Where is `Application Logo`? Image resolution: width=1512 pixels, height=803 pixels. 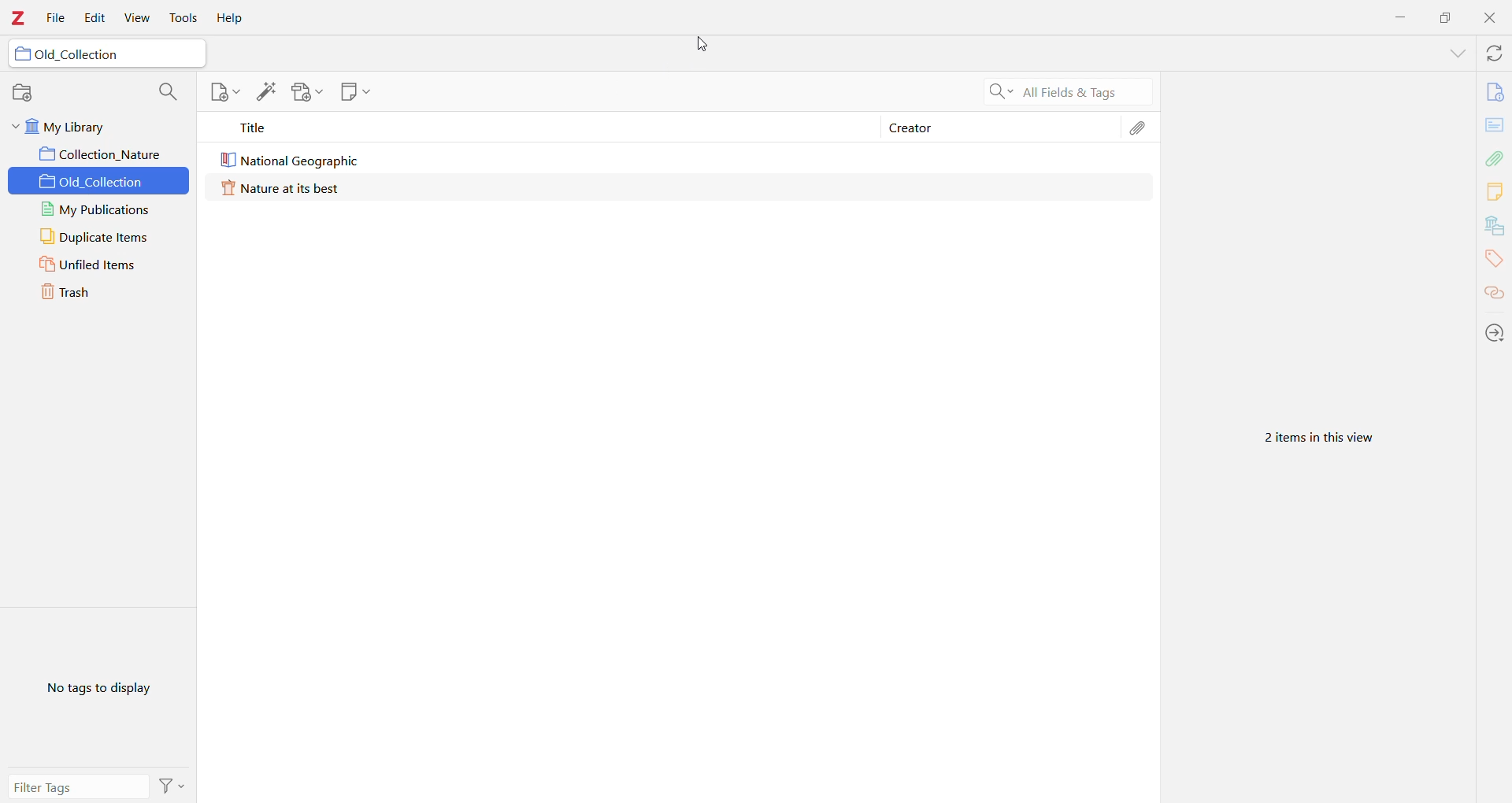 Application Logo is located at coordinates (19, 19).